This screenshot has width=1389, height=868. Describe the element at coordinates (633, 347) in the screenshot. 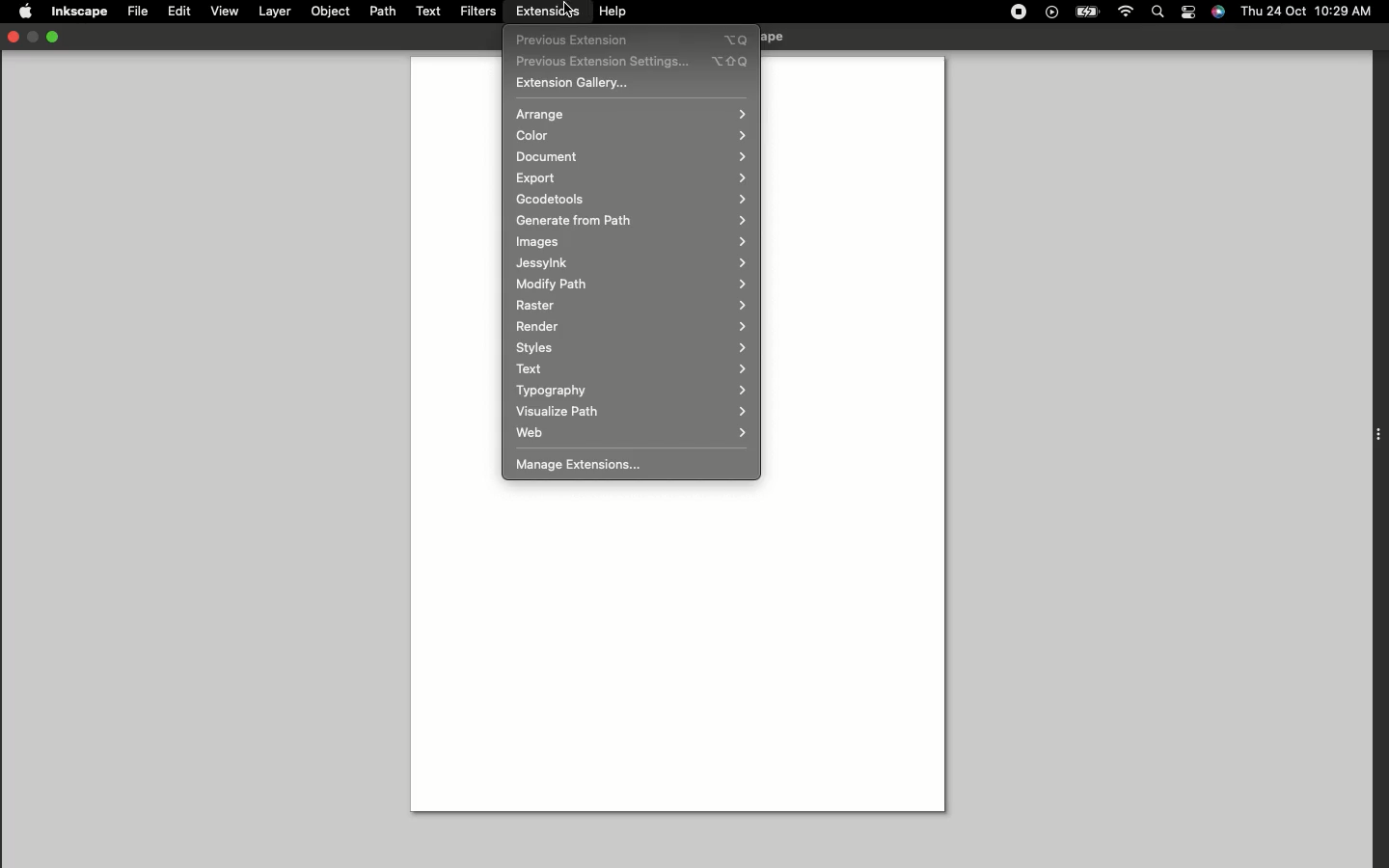

I see `Styles` at that location.